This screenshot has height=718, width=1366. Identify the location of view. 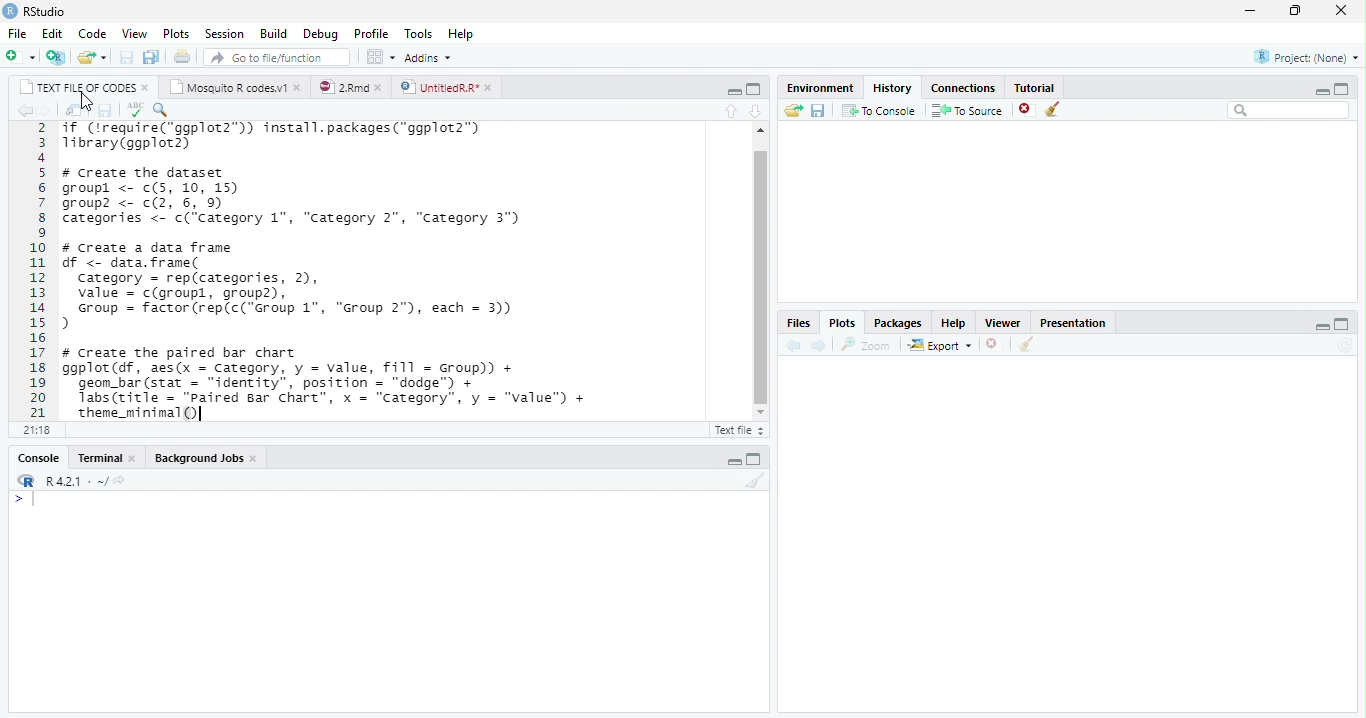
(131, 32).